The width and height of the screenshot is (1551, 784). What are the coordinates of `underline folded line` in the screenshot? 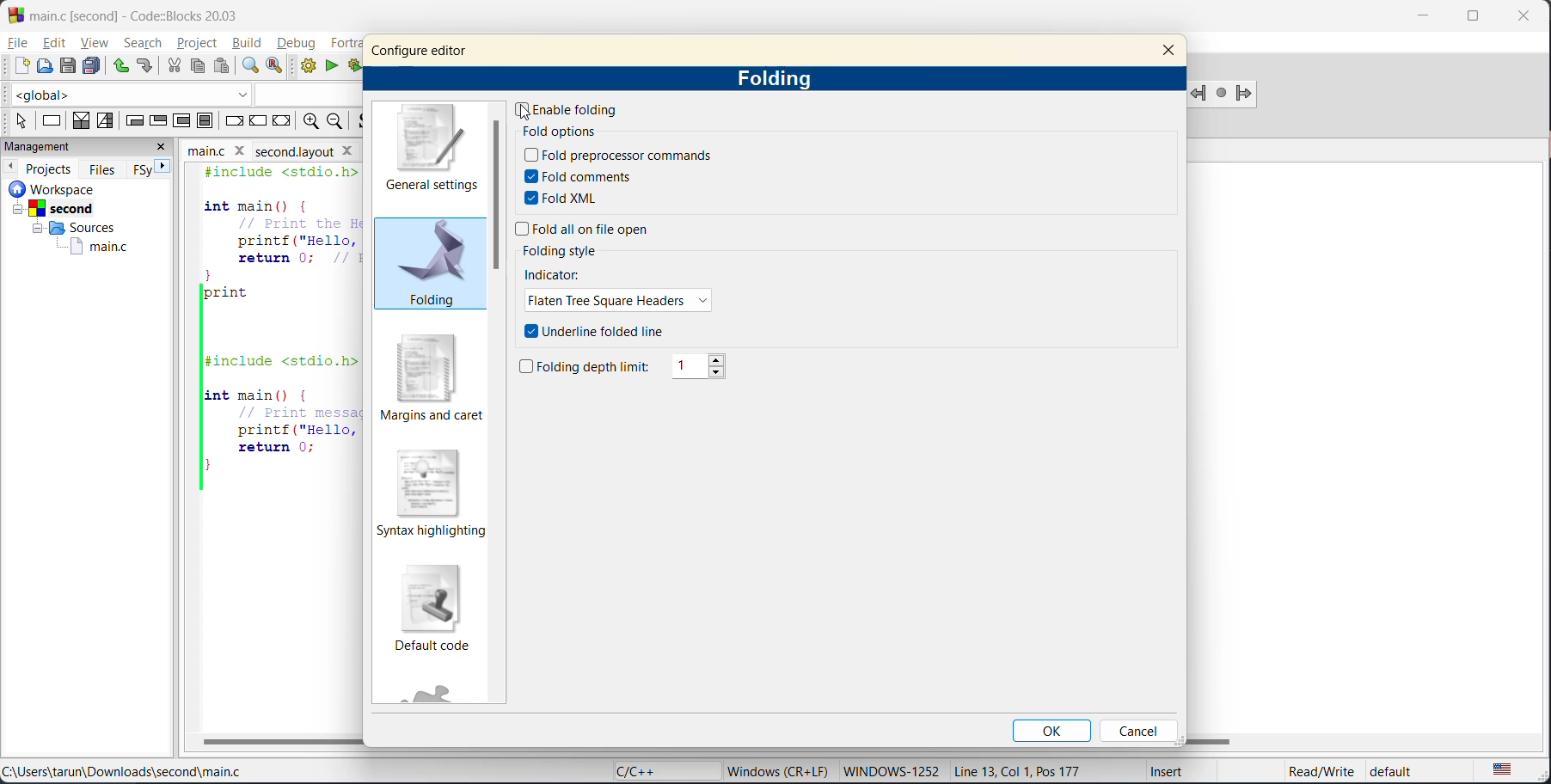 It's located at (598, 331).